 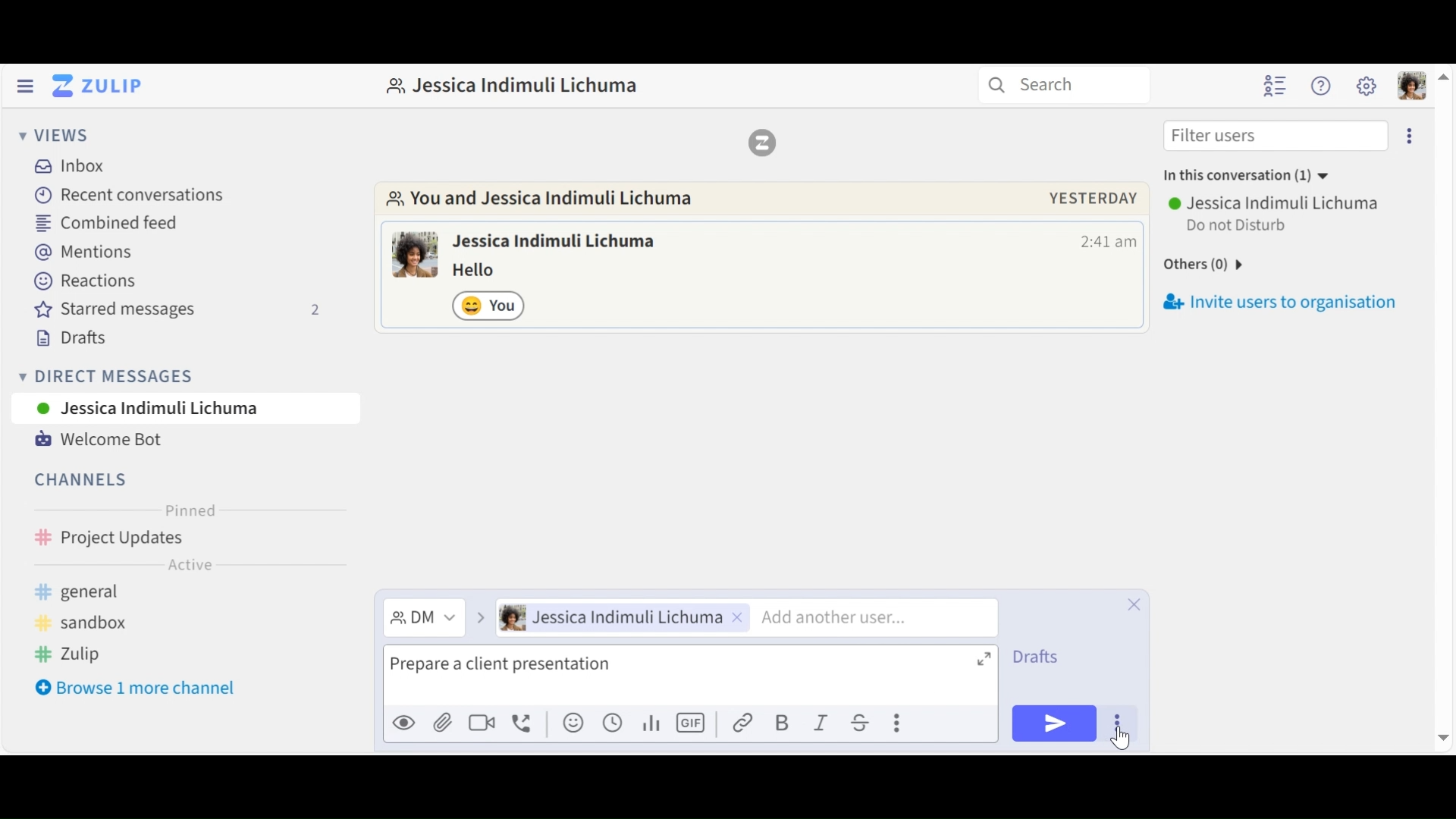 I want to click on View user card, so click(x=416, y=254).